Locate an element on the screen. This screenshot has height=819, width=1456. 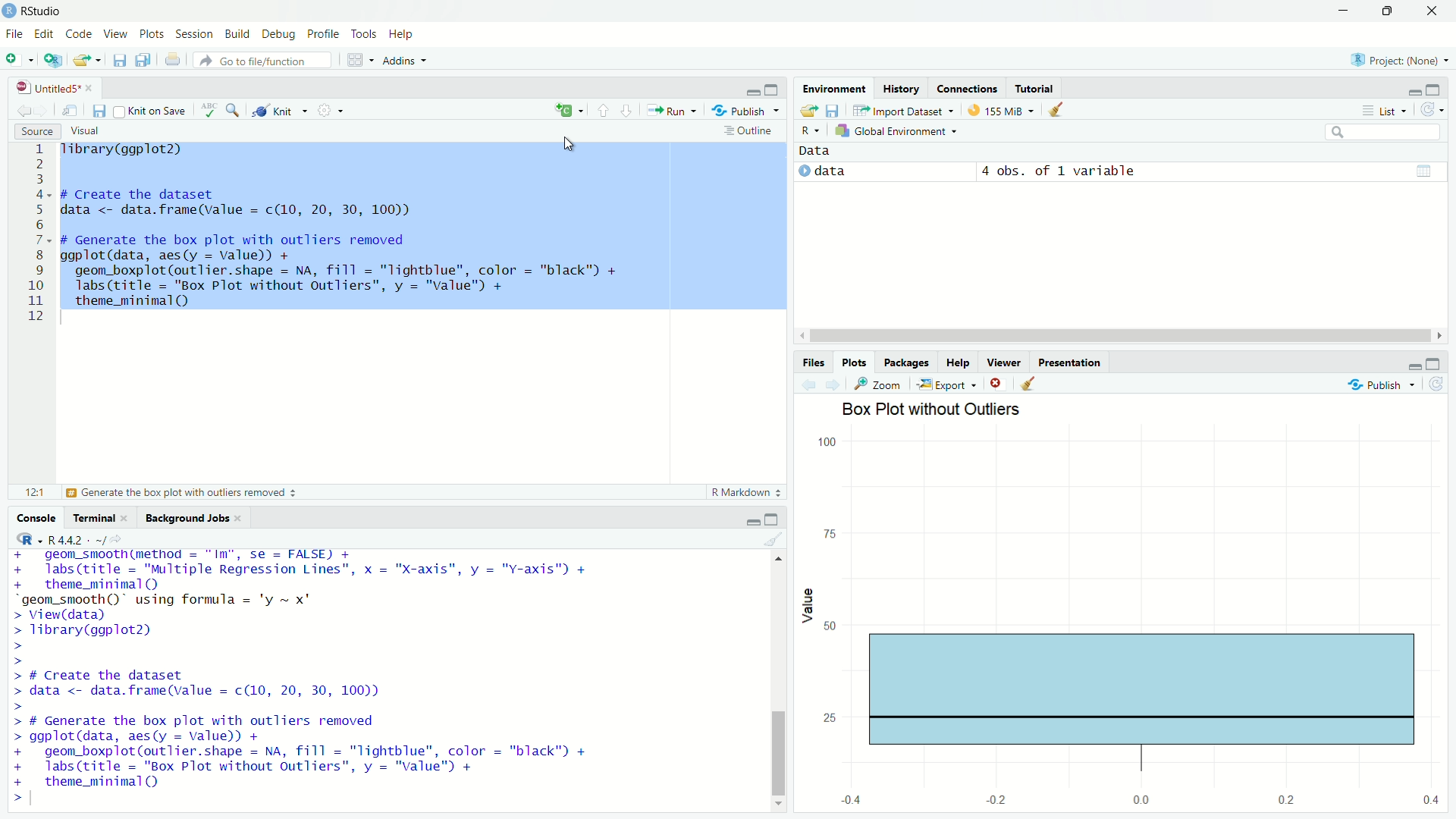
view is located at coordinates (1425, 168).